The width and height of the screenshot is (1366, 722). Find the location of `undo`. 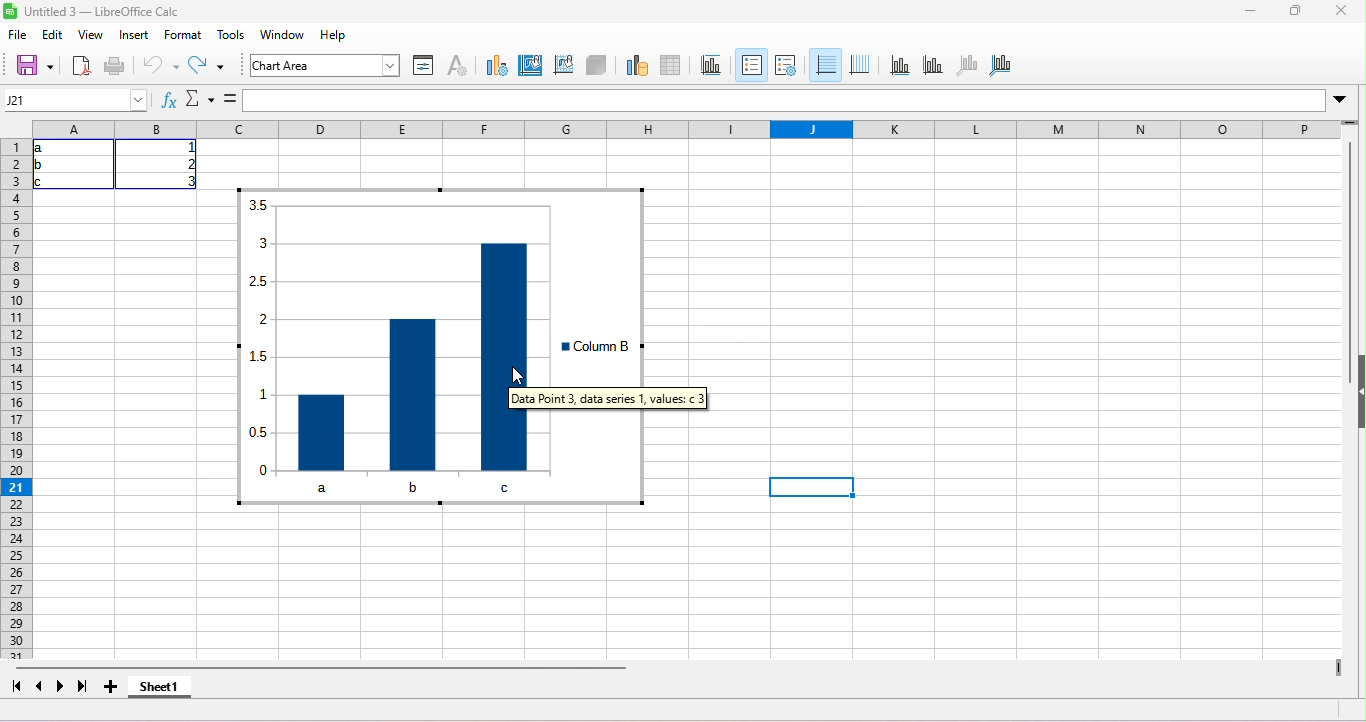

undo is located at coordinates (163, 70).